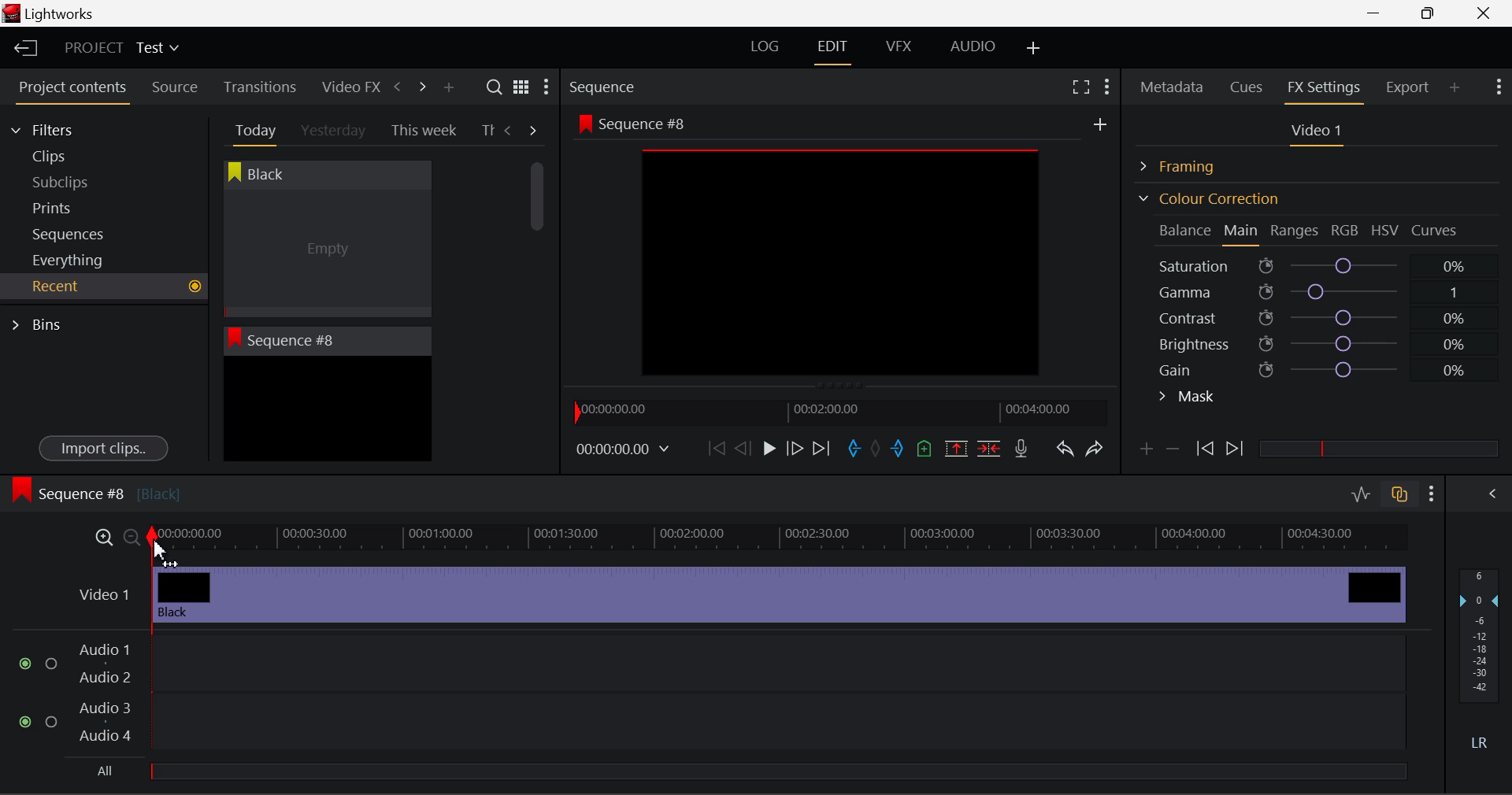 Image resolution: width=1512 pixels, height=795 pixels. What do you see at coordinates (1410, 87) in the screenshot?
I see `Export Panel` at bounding box center [1410, 87].